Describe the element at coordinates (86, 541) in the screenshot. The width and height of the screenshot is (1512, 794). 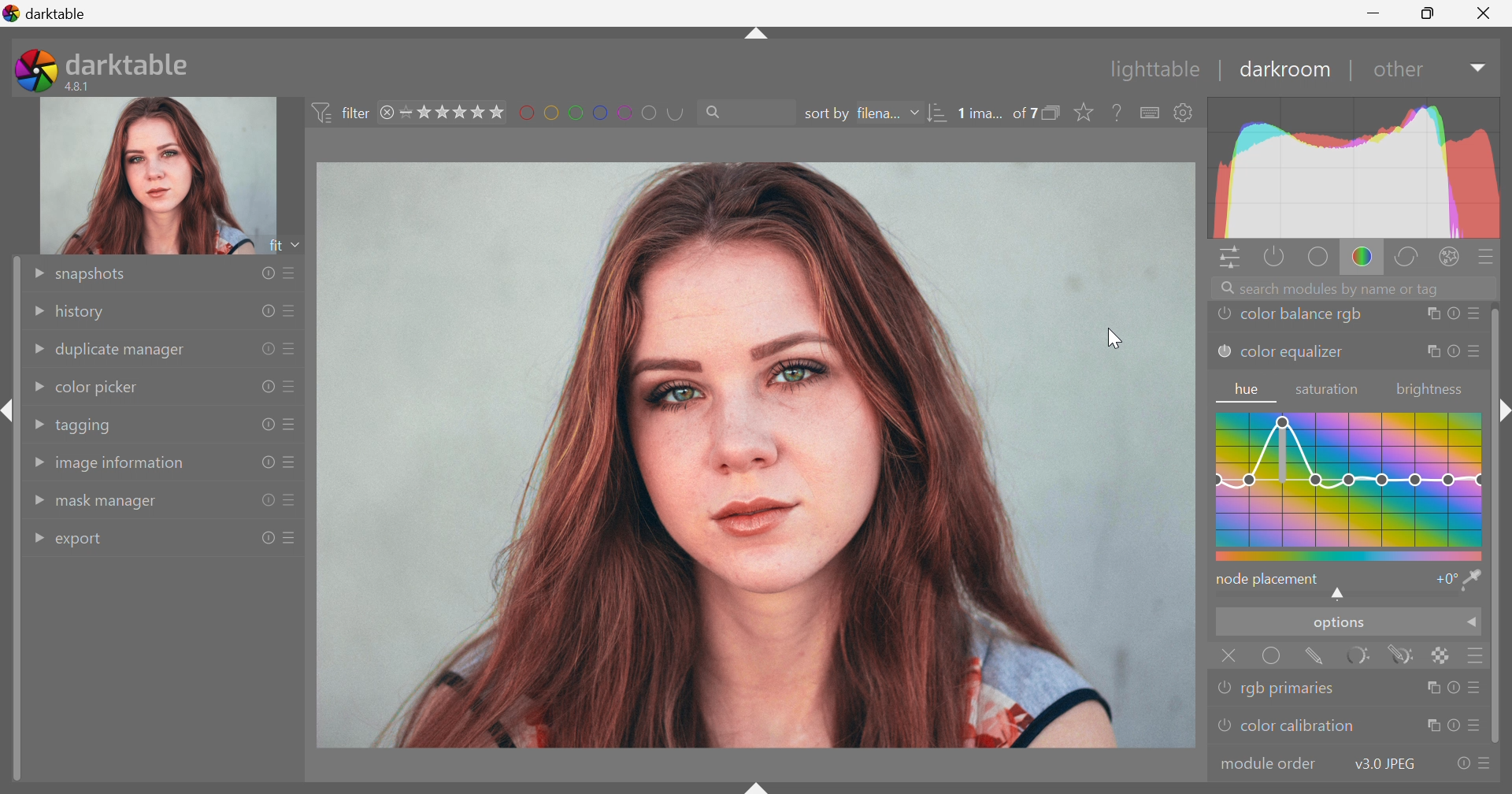
I see `export` at that location.